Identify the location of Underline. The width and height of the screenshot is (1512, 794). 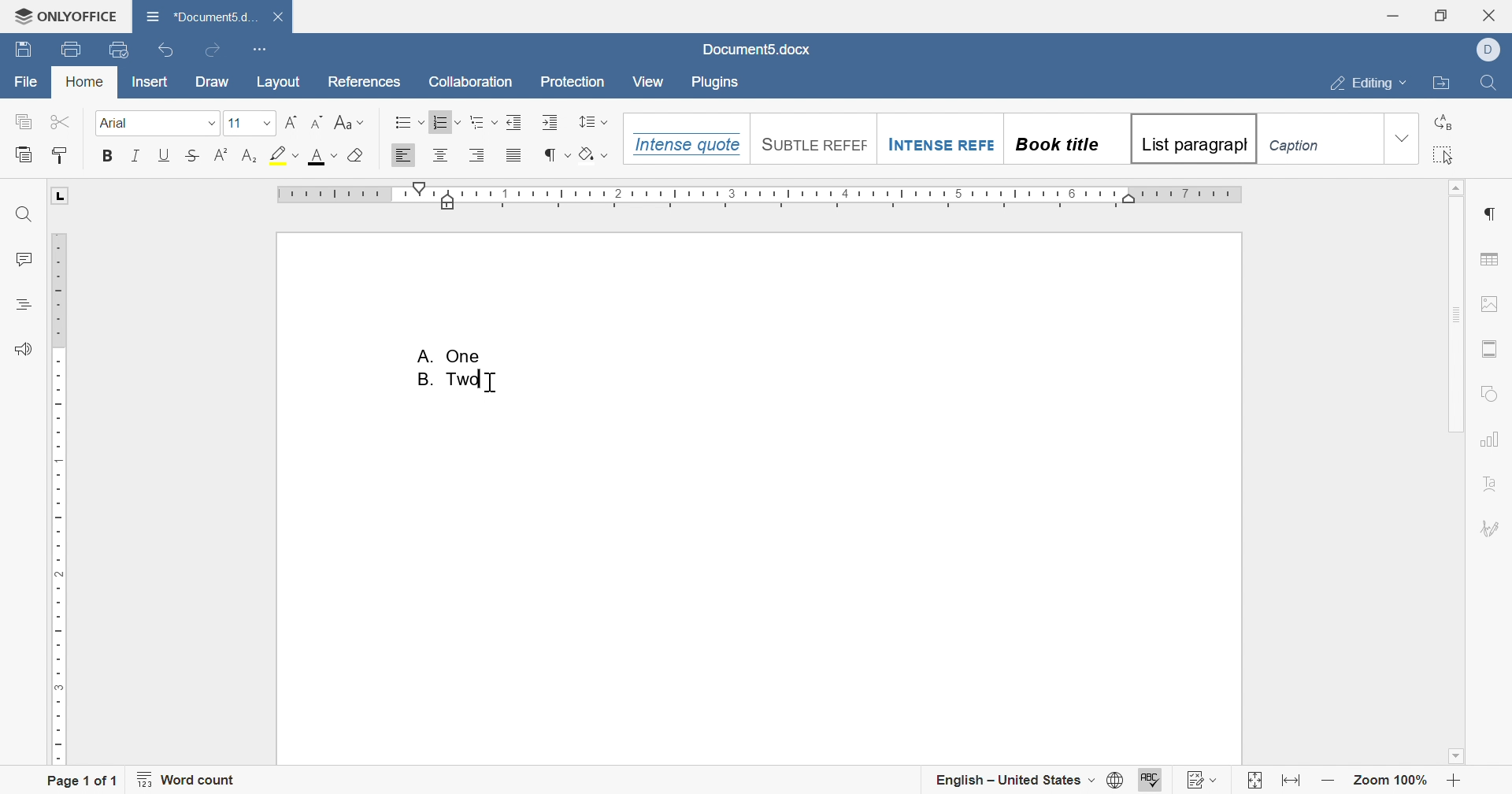
(164, 155).